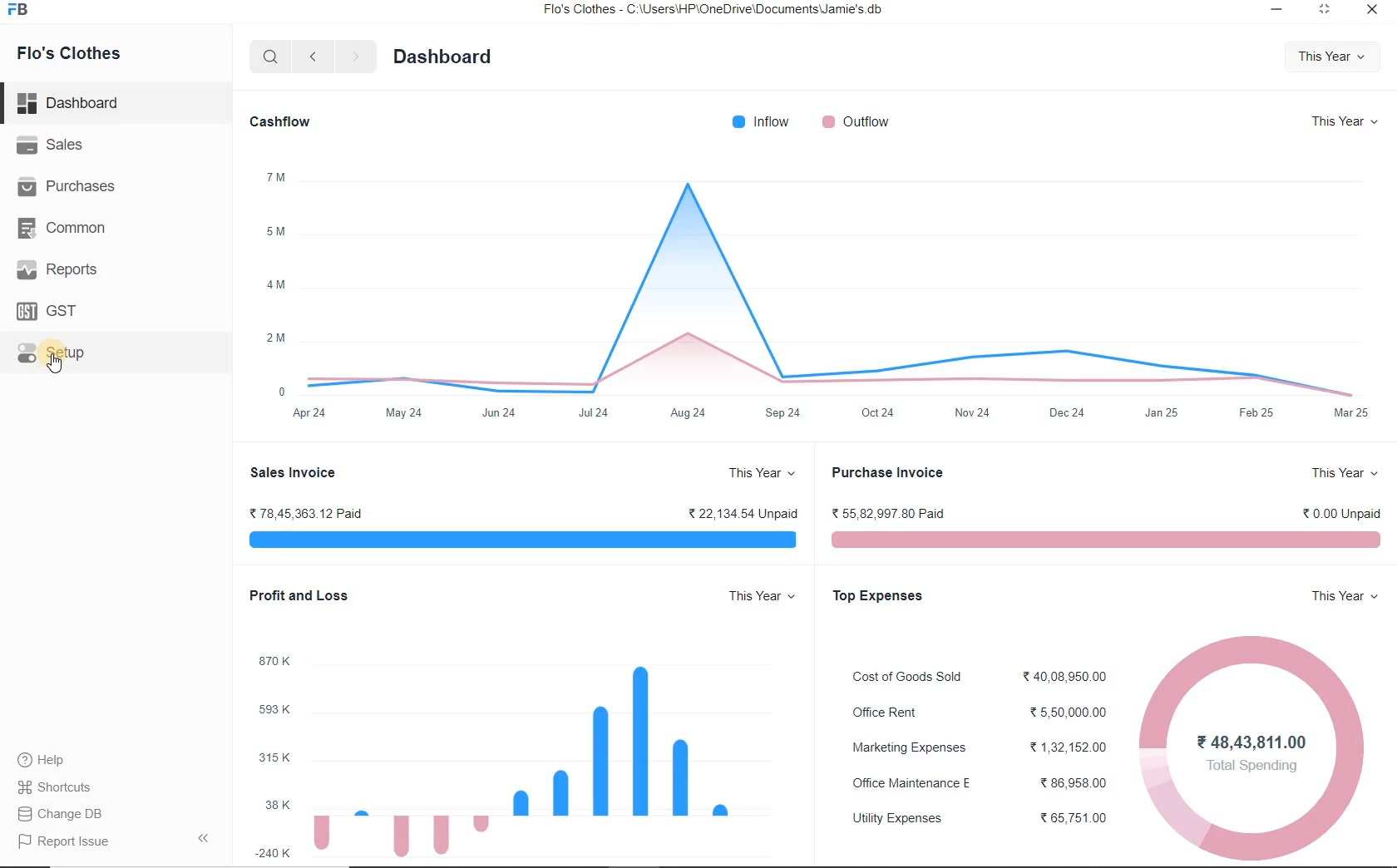 This screenshot has width=1397, height=868. Describe the element at coordinates (1330, 55) in the screenshot. I see `This Year` at that location.